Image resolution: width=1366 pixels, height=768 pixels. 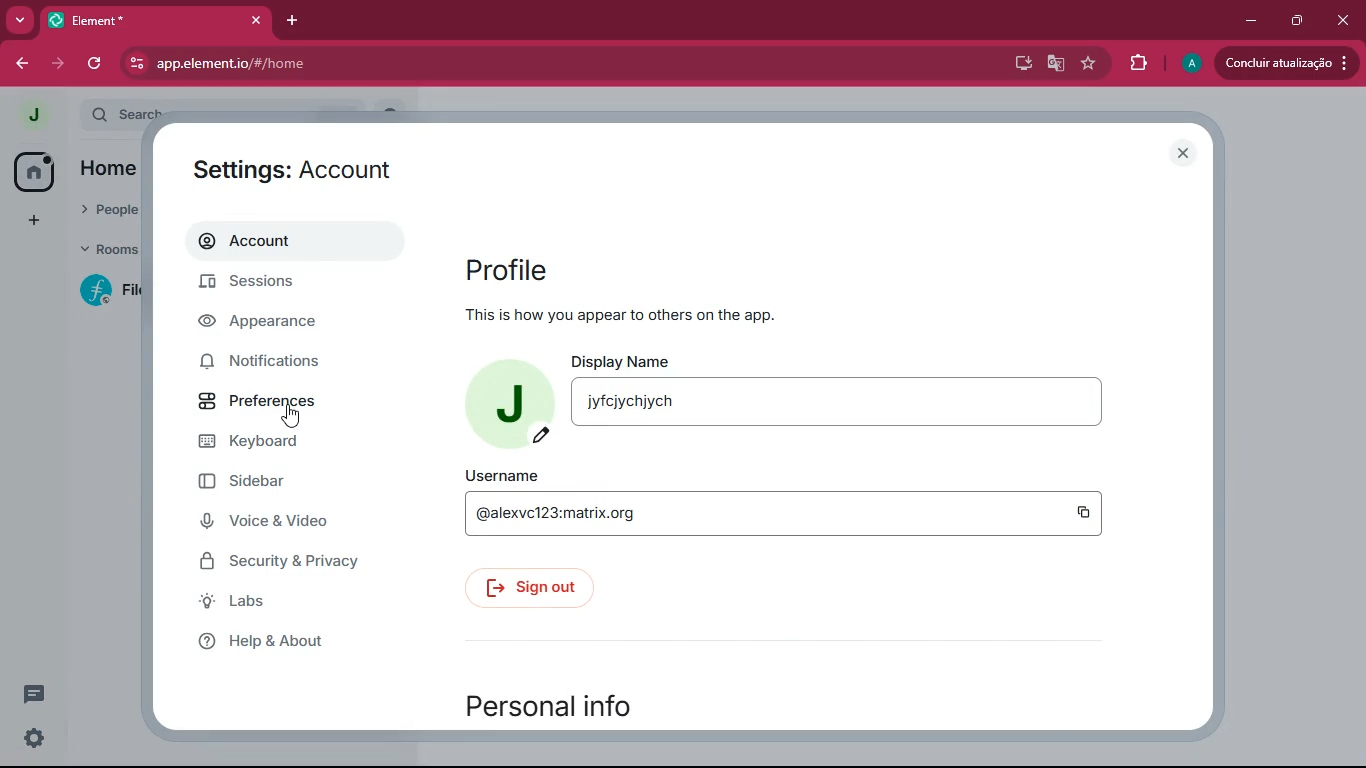 What do you see at coordinates (1345, 20) in the screenshot?
I see `close` at bounding box center [1345, 20].